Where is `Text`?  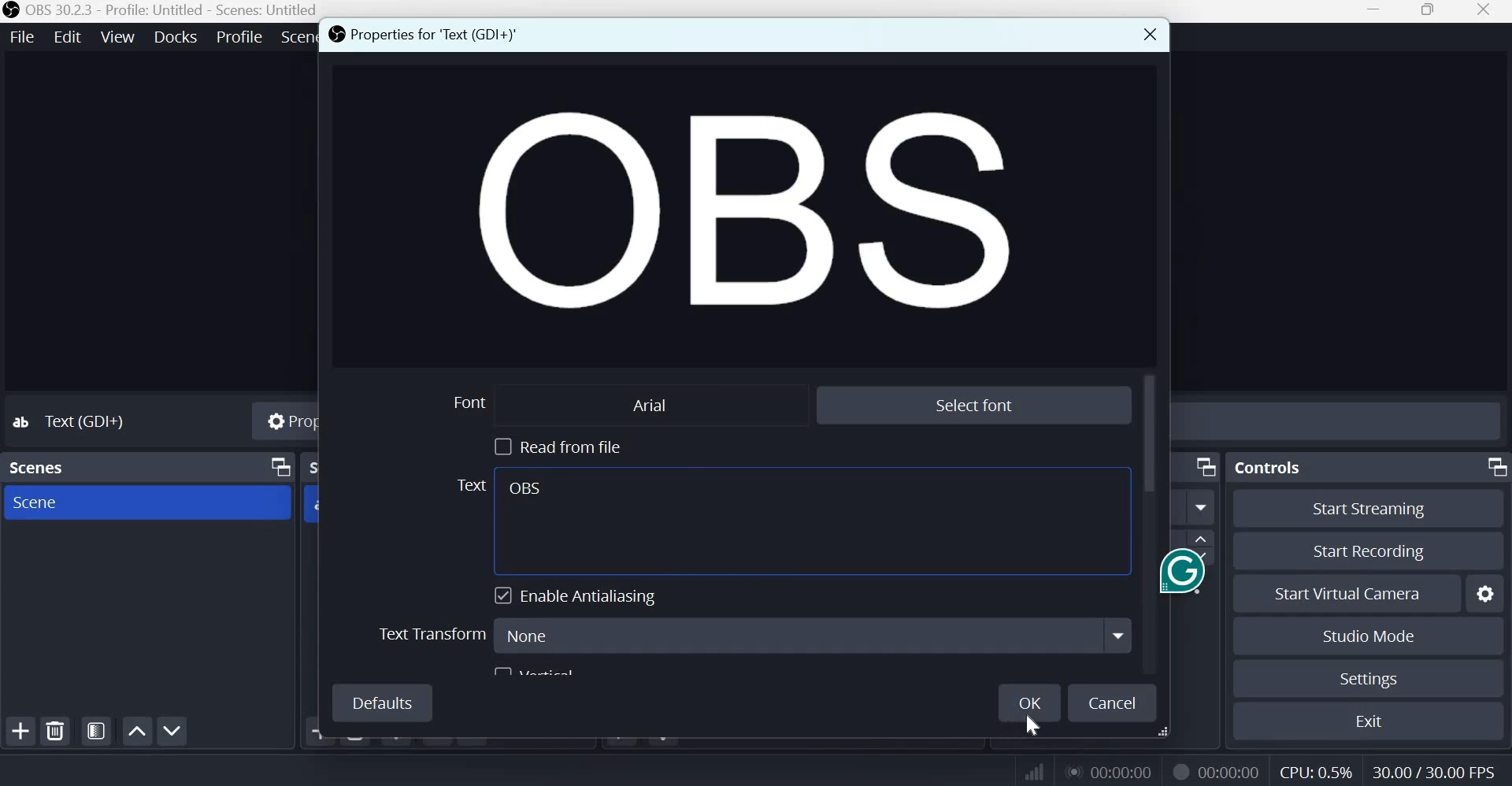
Text is located at coordinates (468, 486).